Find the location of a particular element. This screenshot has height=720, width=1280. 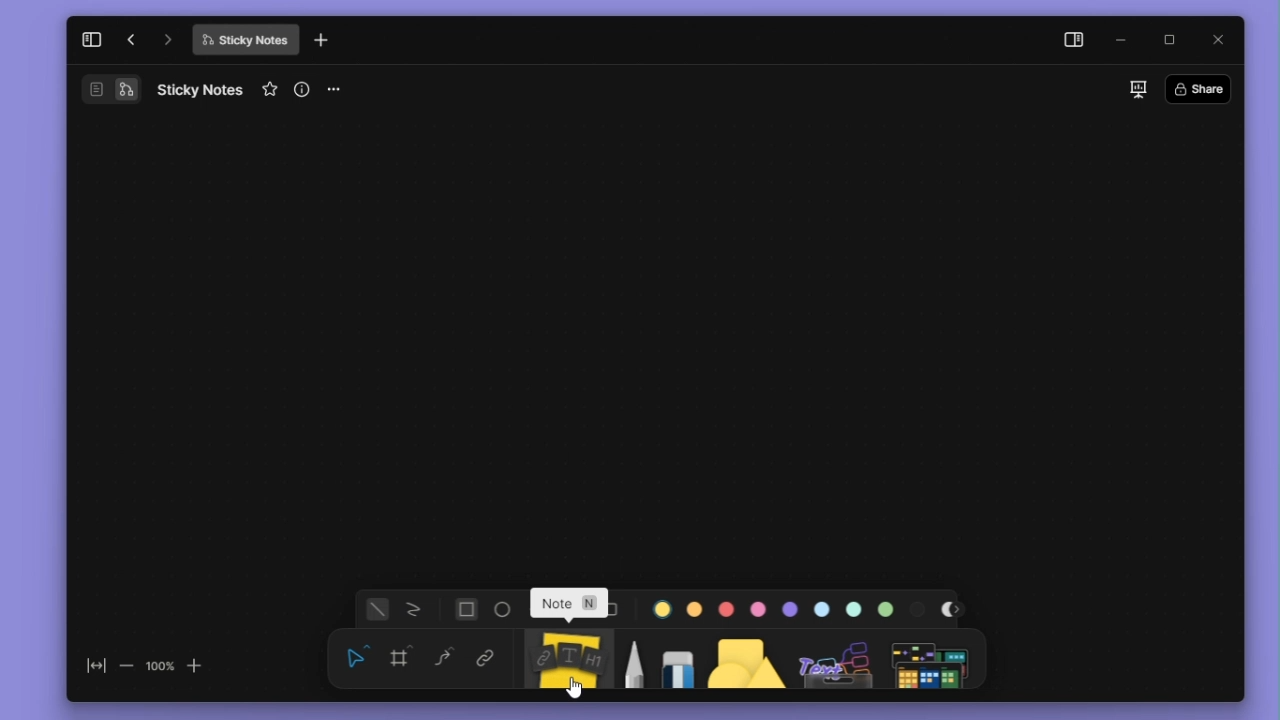

Flowchart is located at coordinates (129, 90).